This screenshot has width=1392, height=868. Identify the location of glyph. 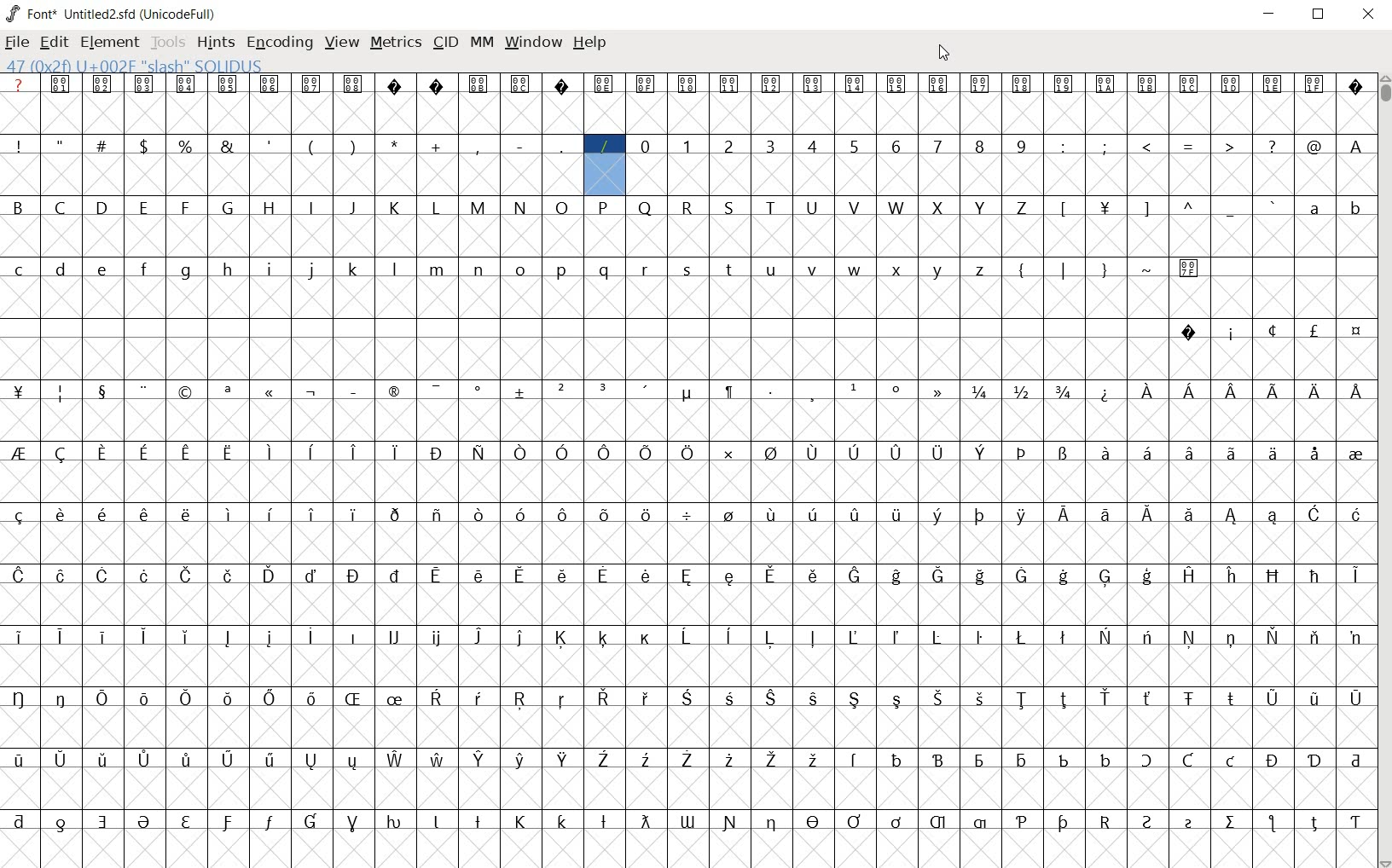
(437, 576).